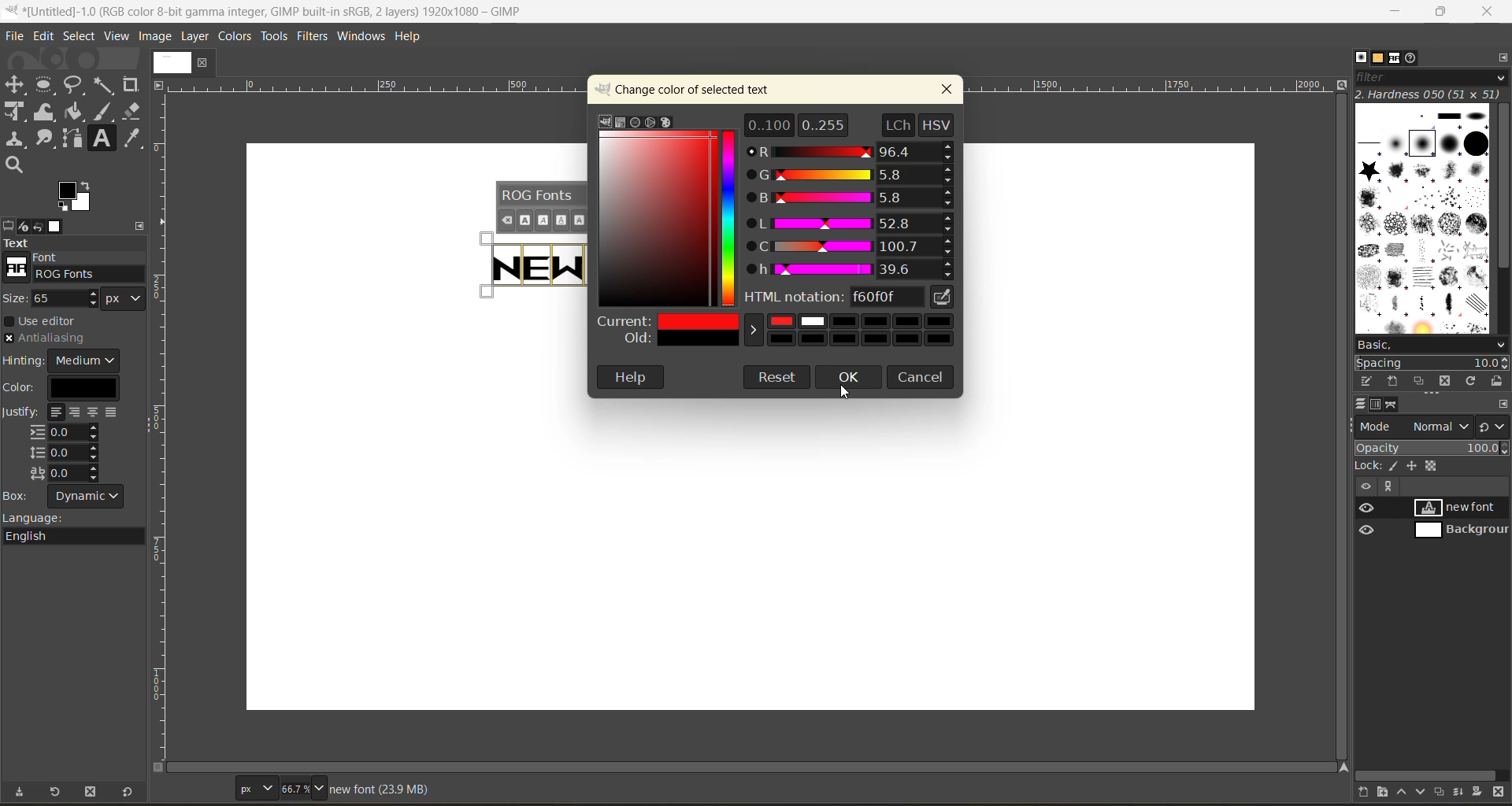 The height and width of the screenshot is (806, 1512). What do you see at coordinates (379, 789) in the screenshot?
I see `metadata` at bounding box center [379, 789].